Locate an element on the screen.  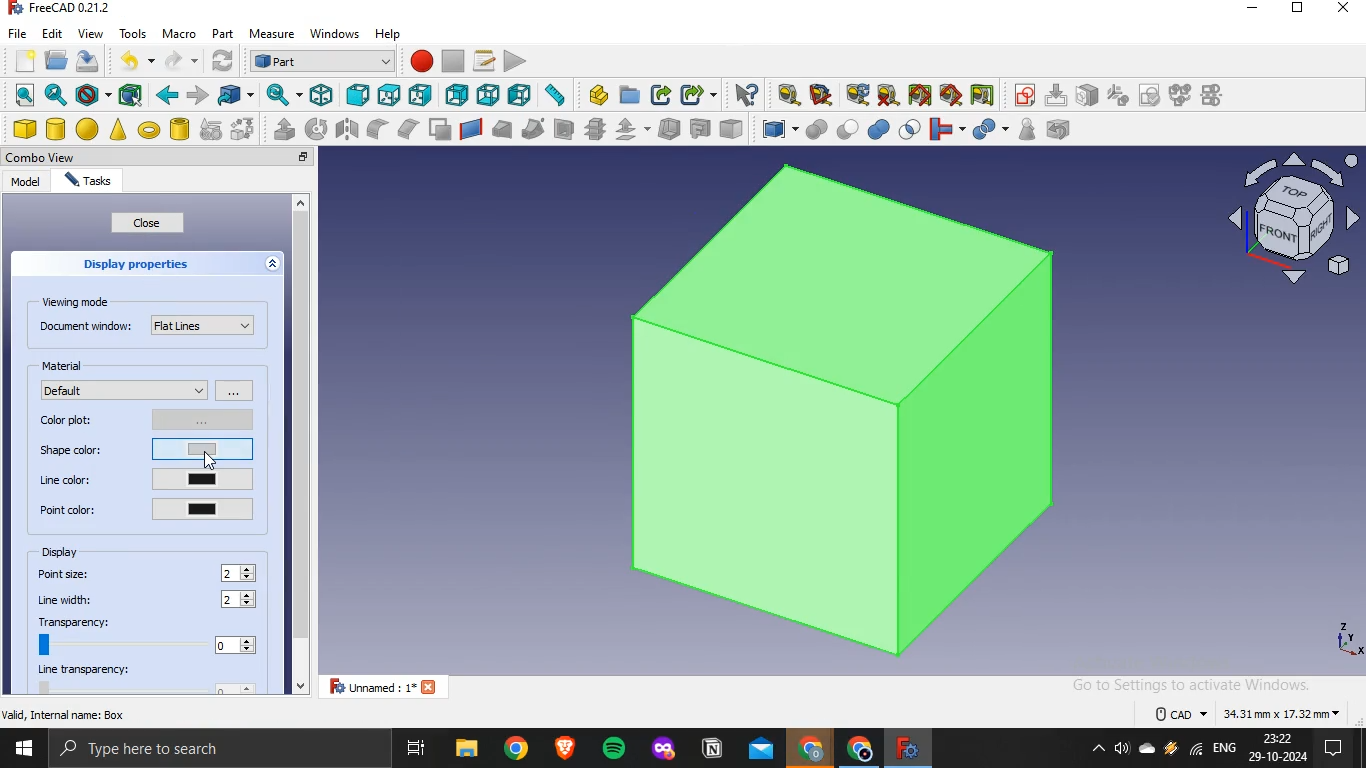
front is located at coordinates (357, 95).